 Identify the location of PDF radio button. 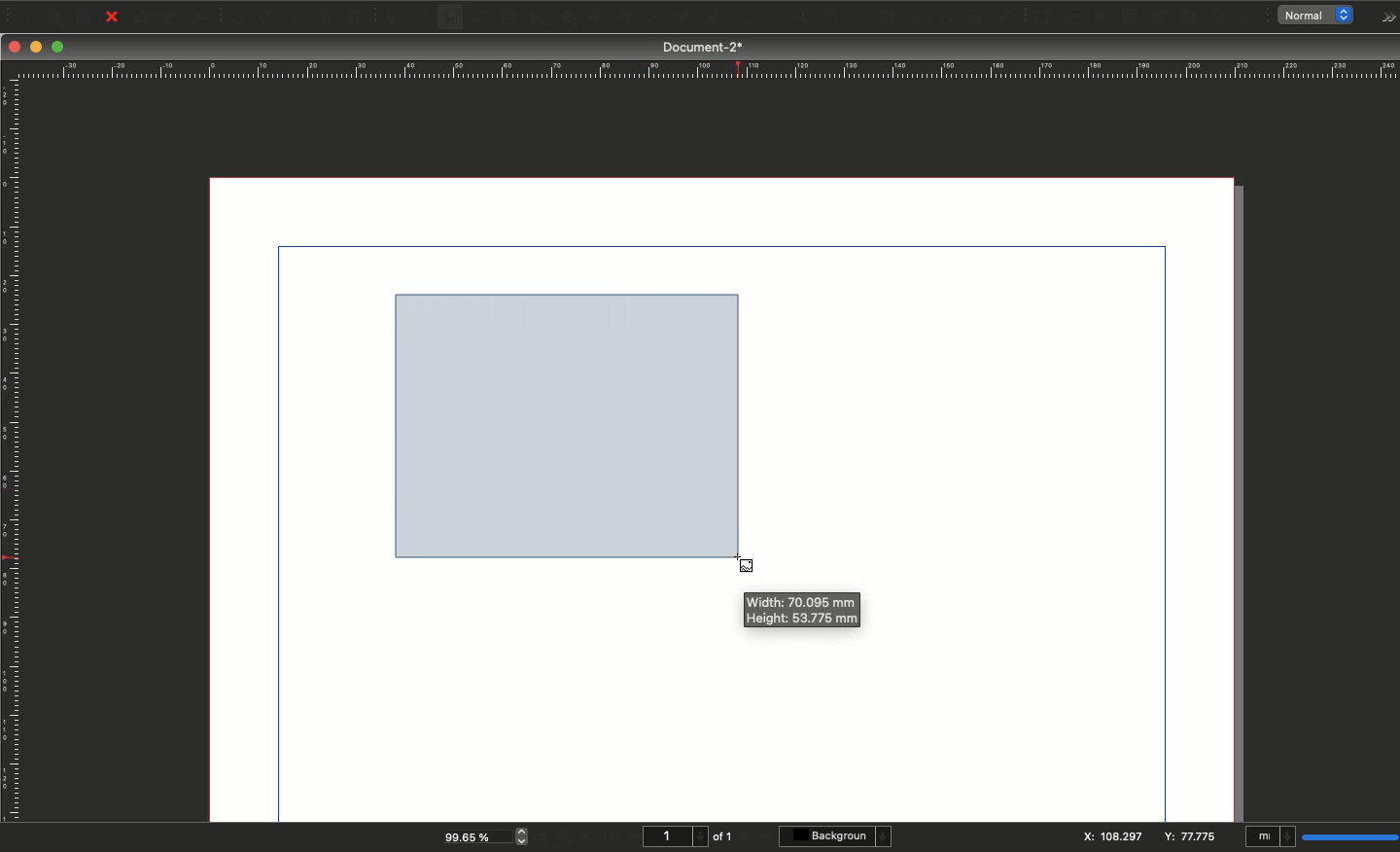
(1102, 18).